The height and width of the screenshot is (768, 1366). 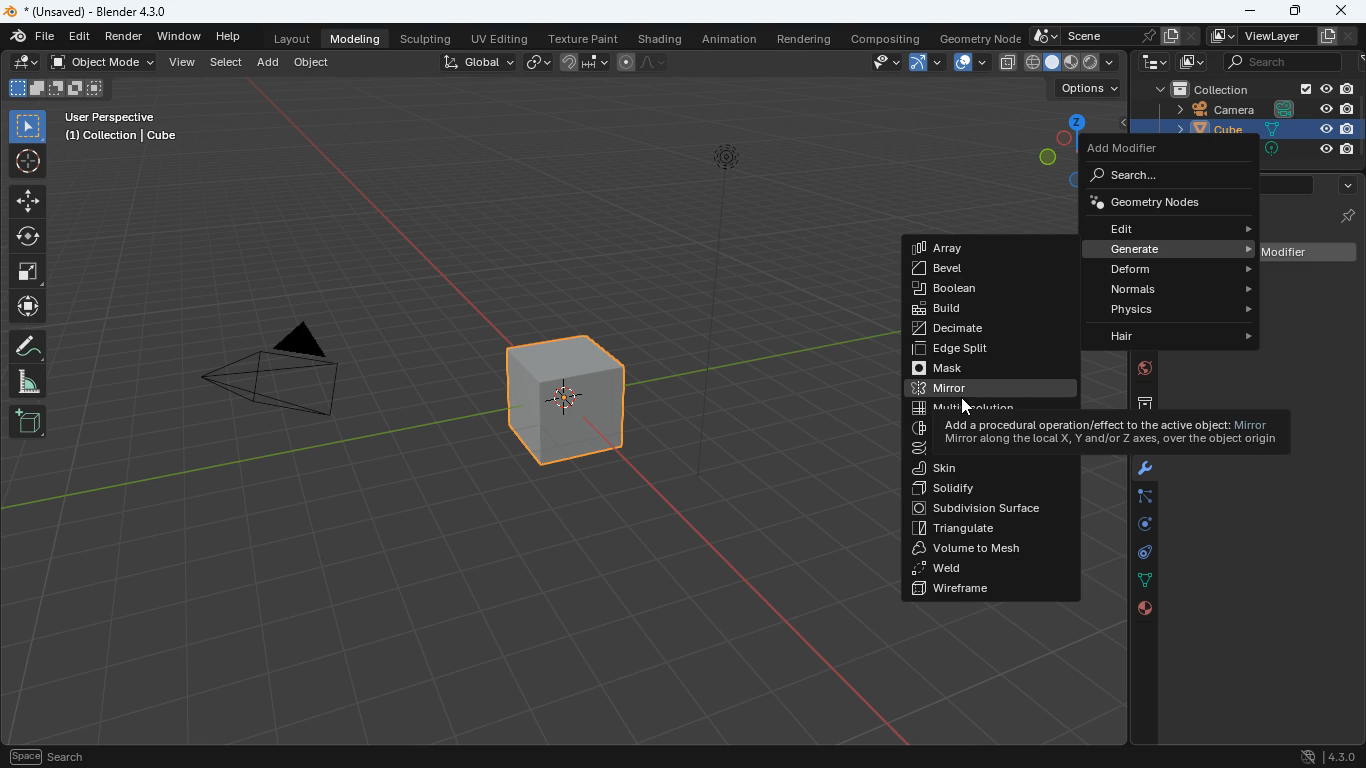 What do you see at coordinates (919, 449) in the screenshot?
I see `` at bounding box center [919, 449].